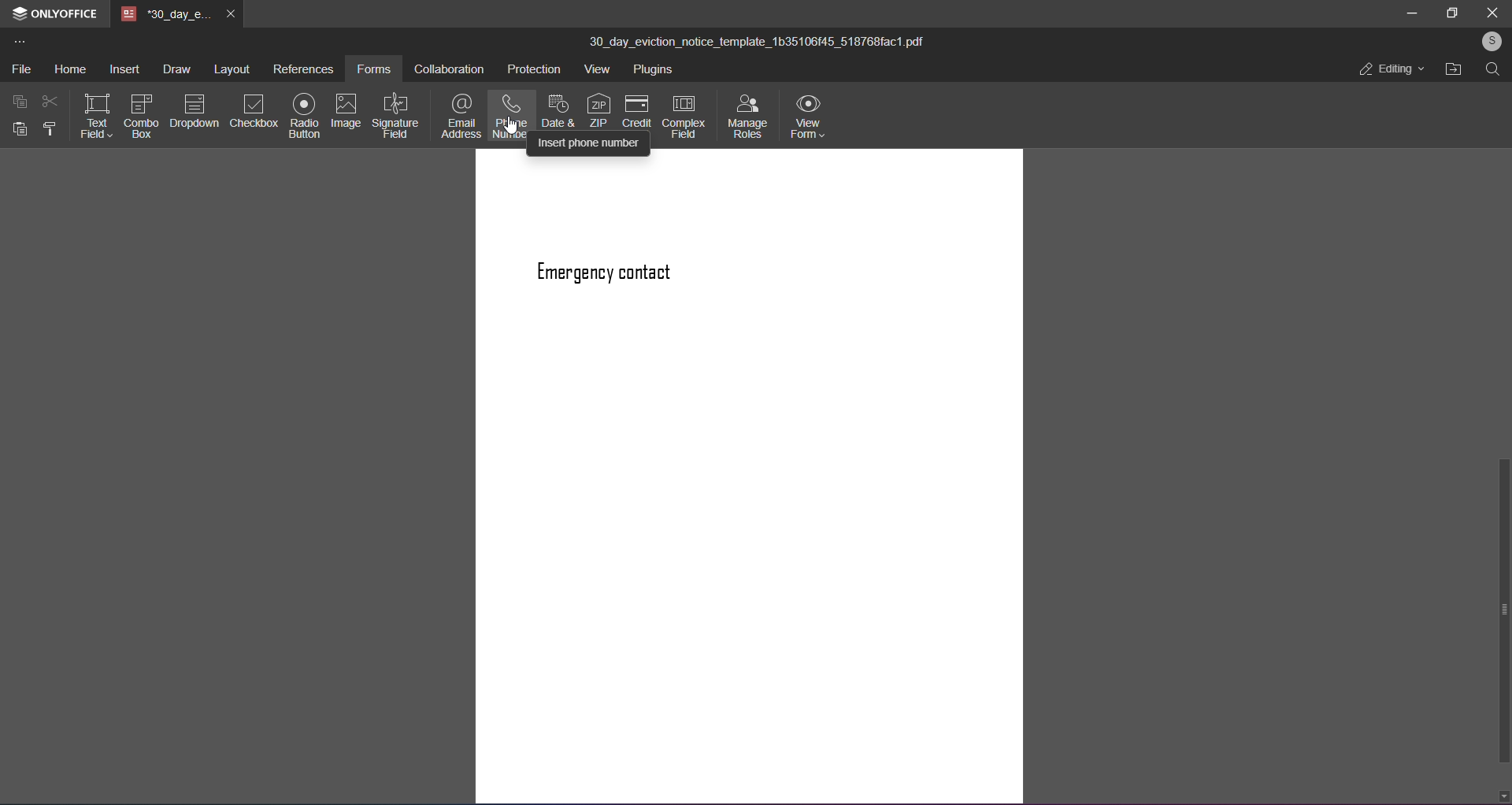  Describe the element at coordinates (253, 112) in the screenshot. I see `checkbox` at that location.